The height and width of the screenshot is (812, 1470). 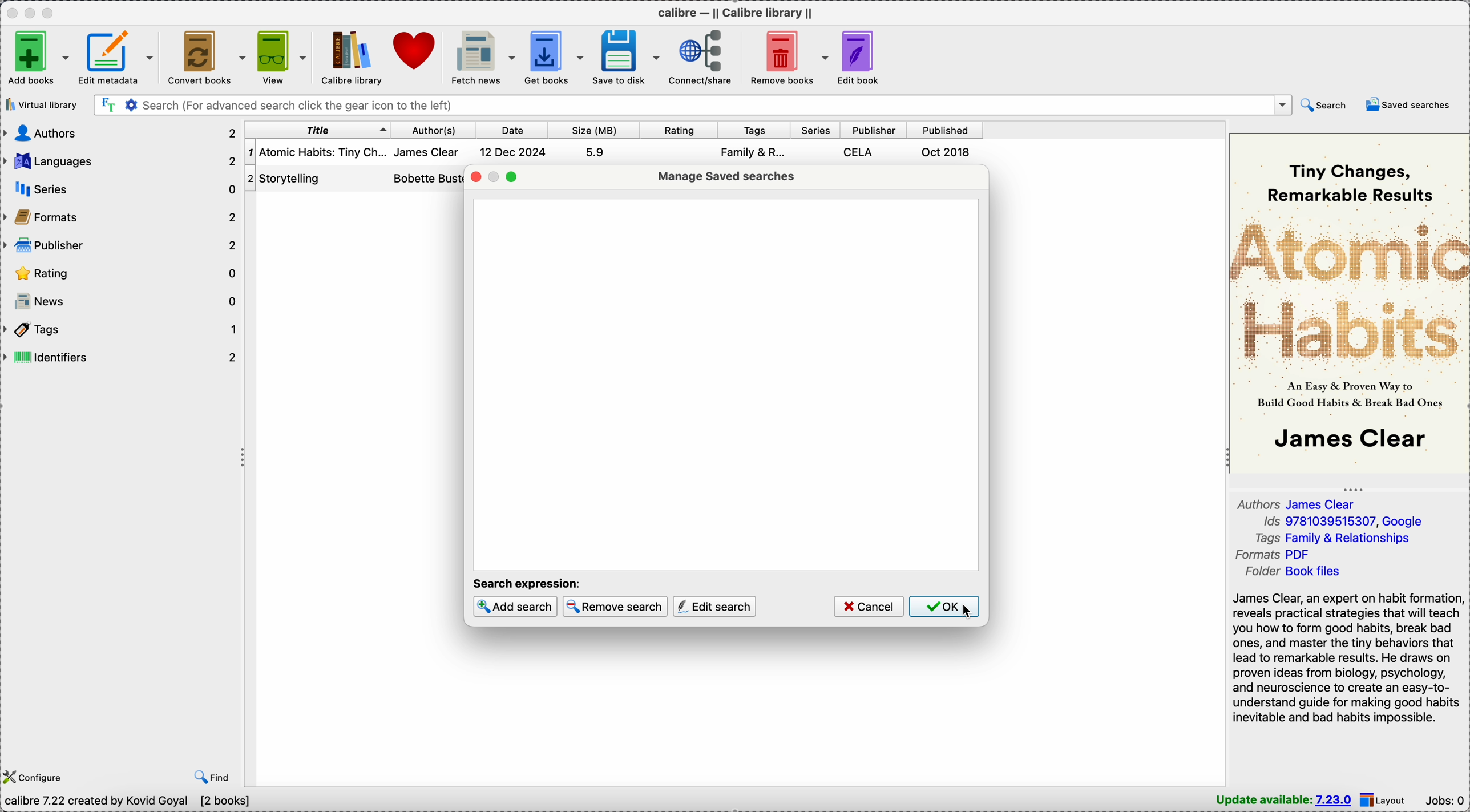 What do you see at coordinates (750, 130) in the screenshot?
I see `tags` at bounding box center [750, 130].